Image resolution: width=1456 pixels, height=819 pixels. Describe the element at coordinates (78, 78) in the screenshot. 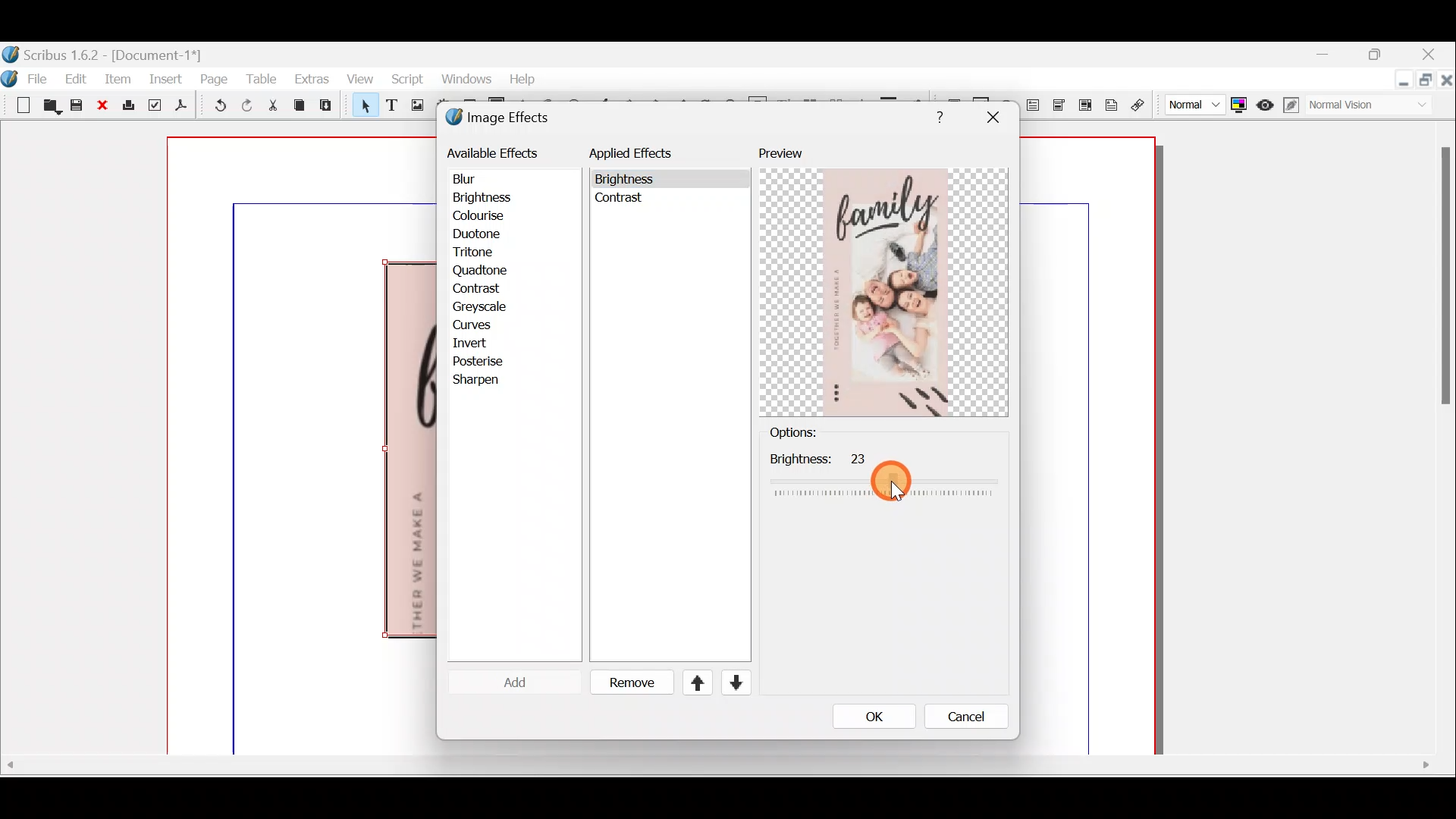

I see `Edit` at that location.